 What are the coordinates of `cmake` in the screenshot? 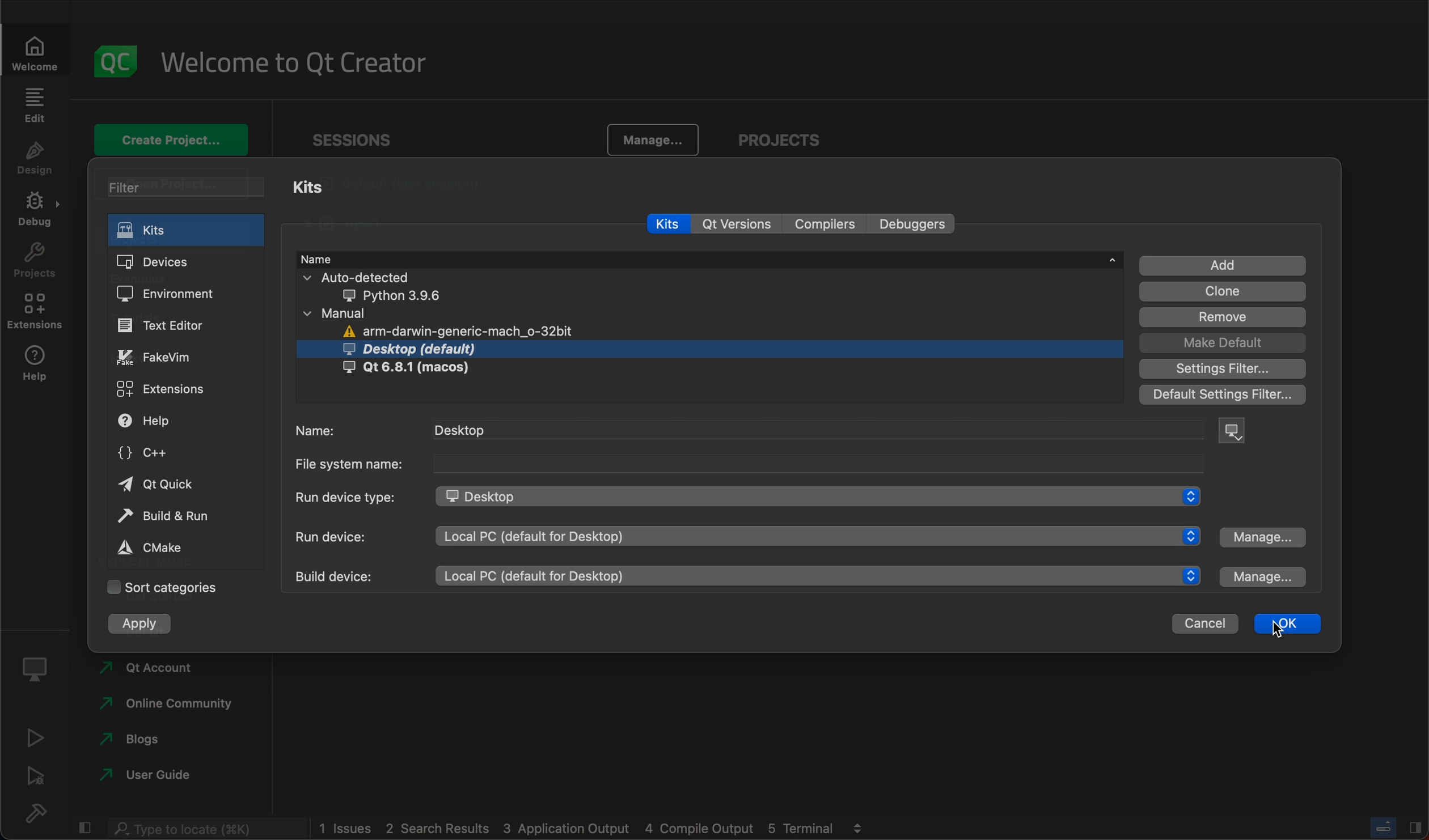 It's located at (151, 548).